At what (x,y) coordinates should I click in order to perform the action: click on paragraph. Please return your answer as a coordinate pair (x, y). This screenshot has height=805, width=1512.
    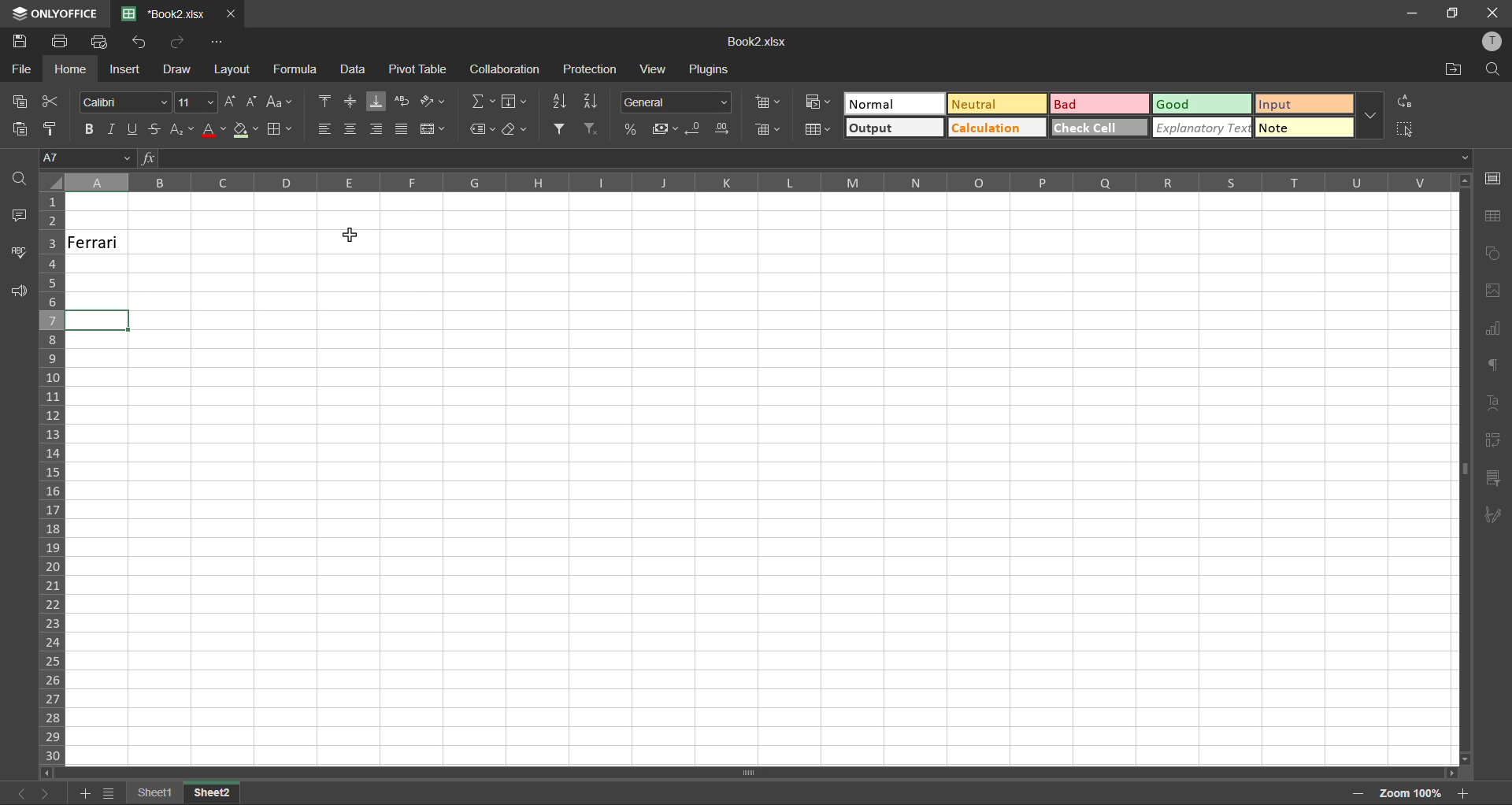
    Looking at the image, I should click on (1492, 366).